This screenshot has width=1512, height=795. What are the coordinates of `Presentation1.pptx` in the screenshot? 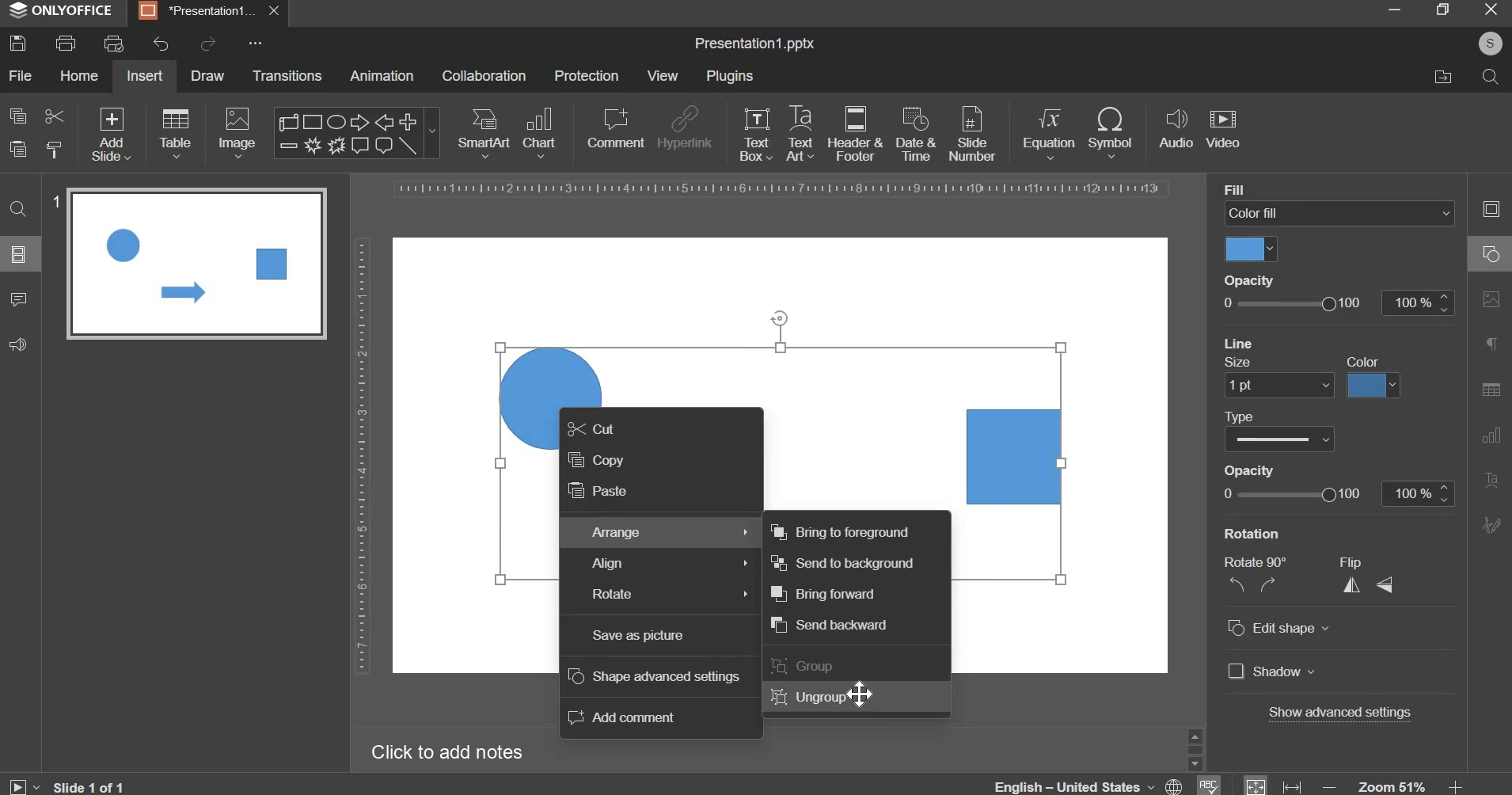 It's located at (754, 44).